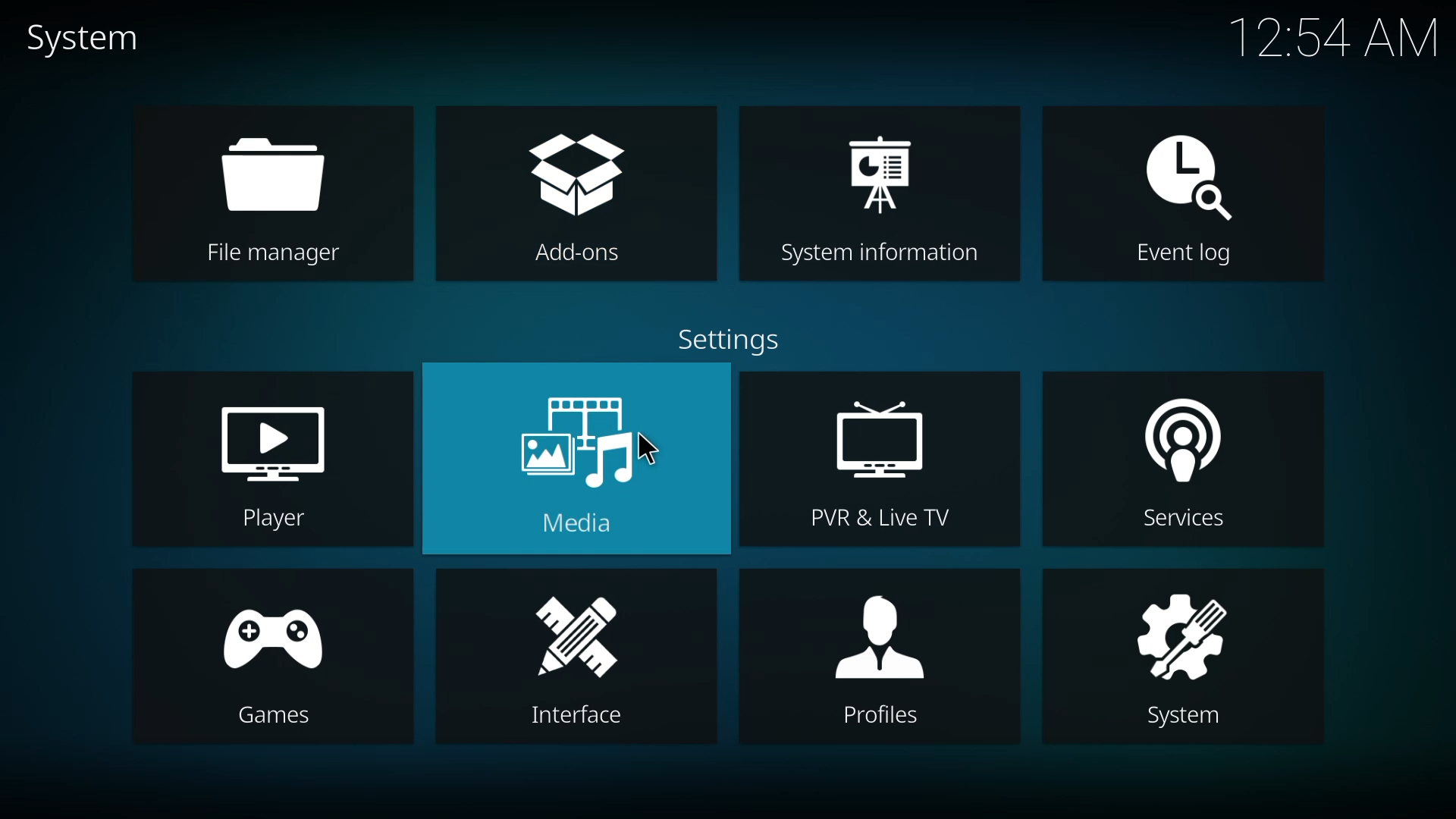 This screenshot has height=819, width=1456. I want to click on event log, so click(1185, 193).